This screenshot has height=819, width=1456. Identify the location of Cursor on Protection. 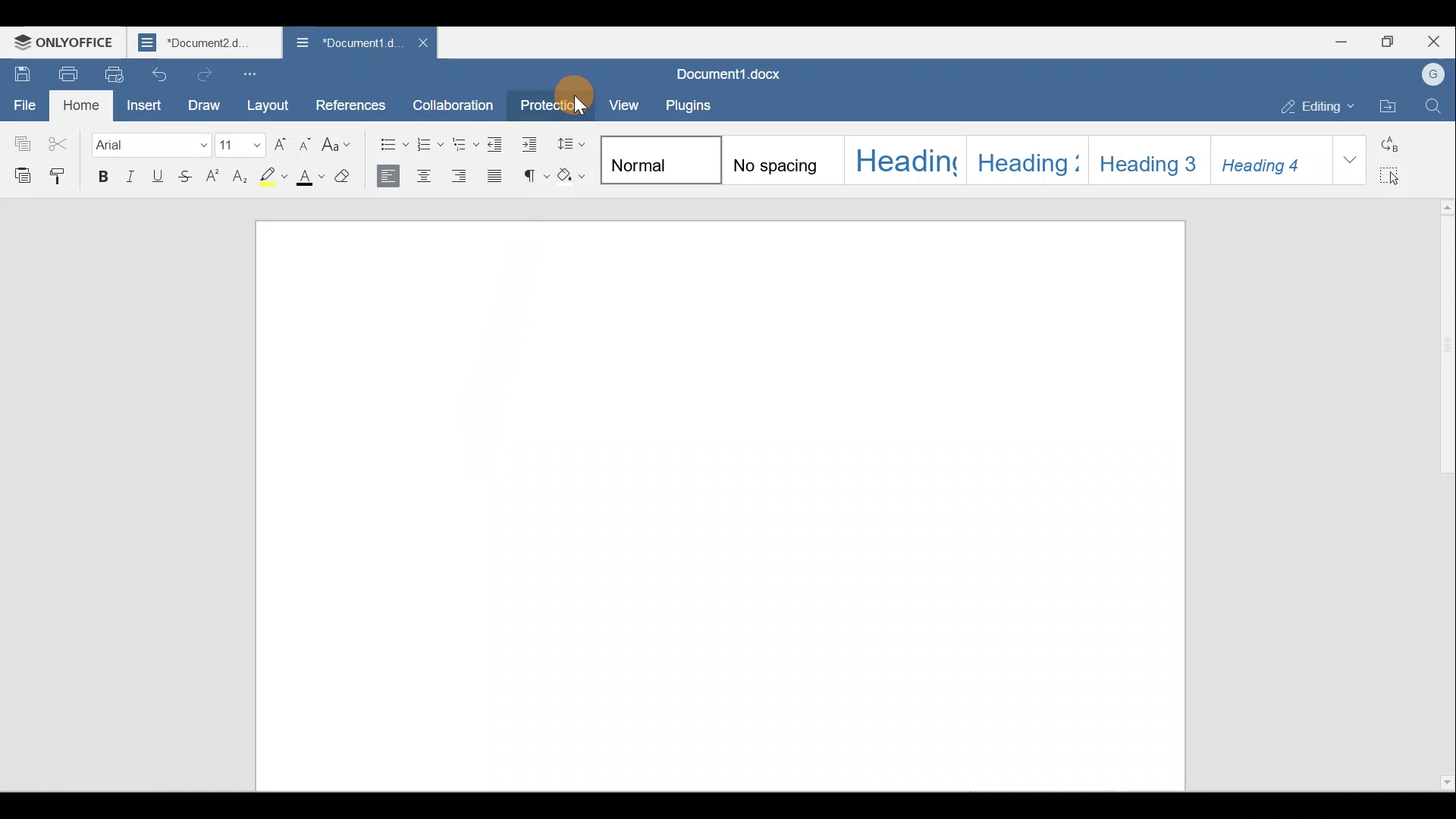
(565, 99).